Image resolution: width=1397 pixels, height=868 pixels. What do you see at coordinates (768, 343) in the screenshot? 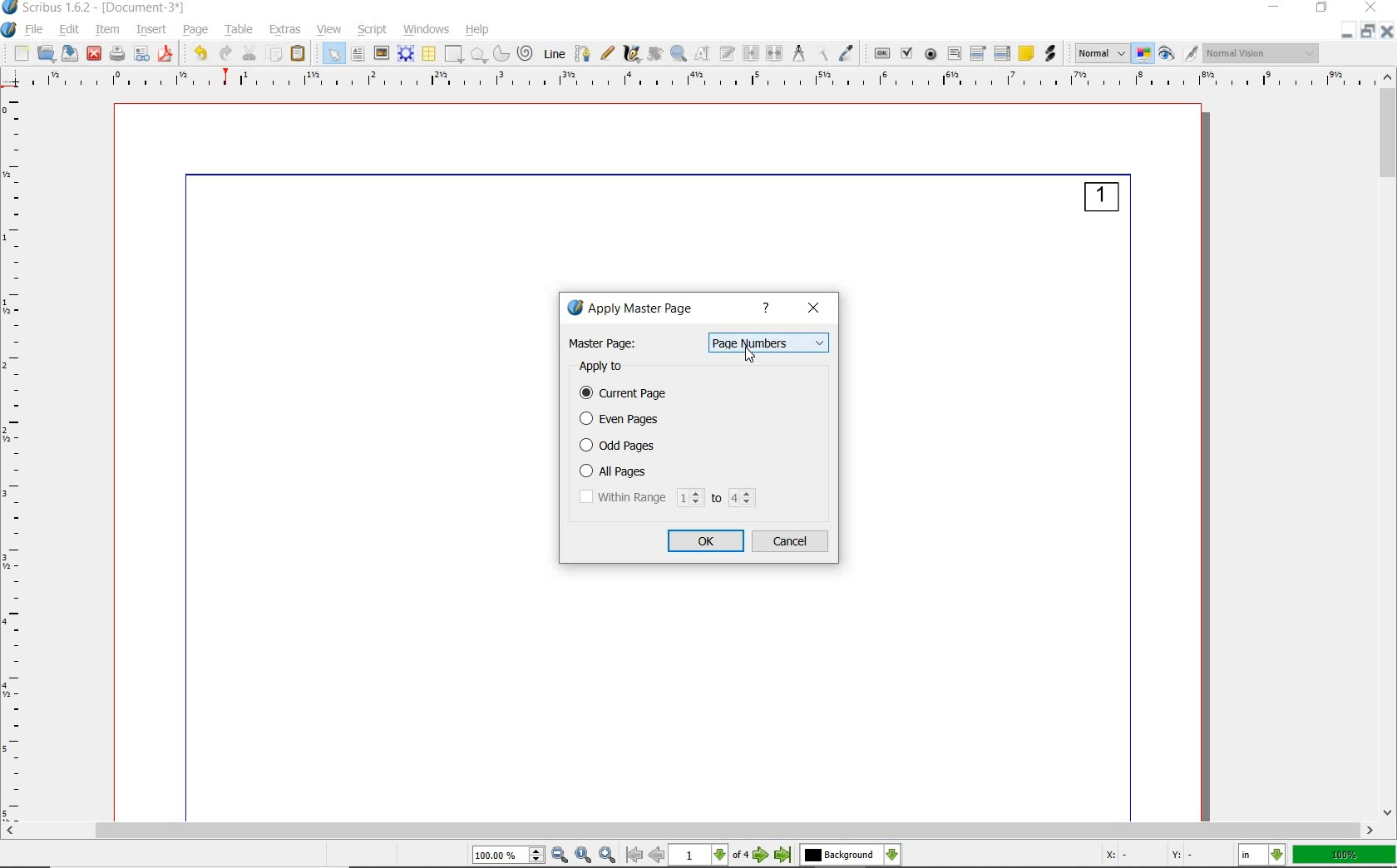
I see `Page Numbers` at bounding box center [768, 343].